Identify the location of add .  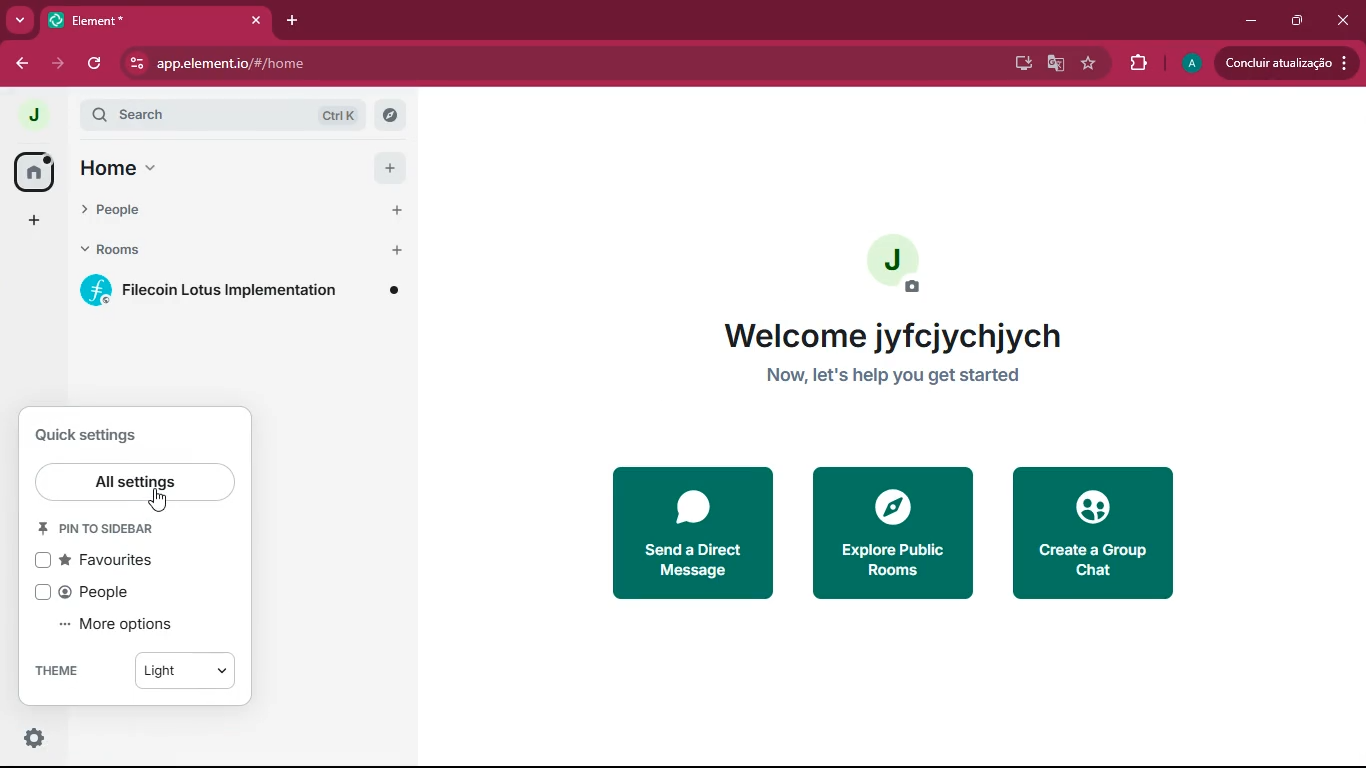
(32, 221).